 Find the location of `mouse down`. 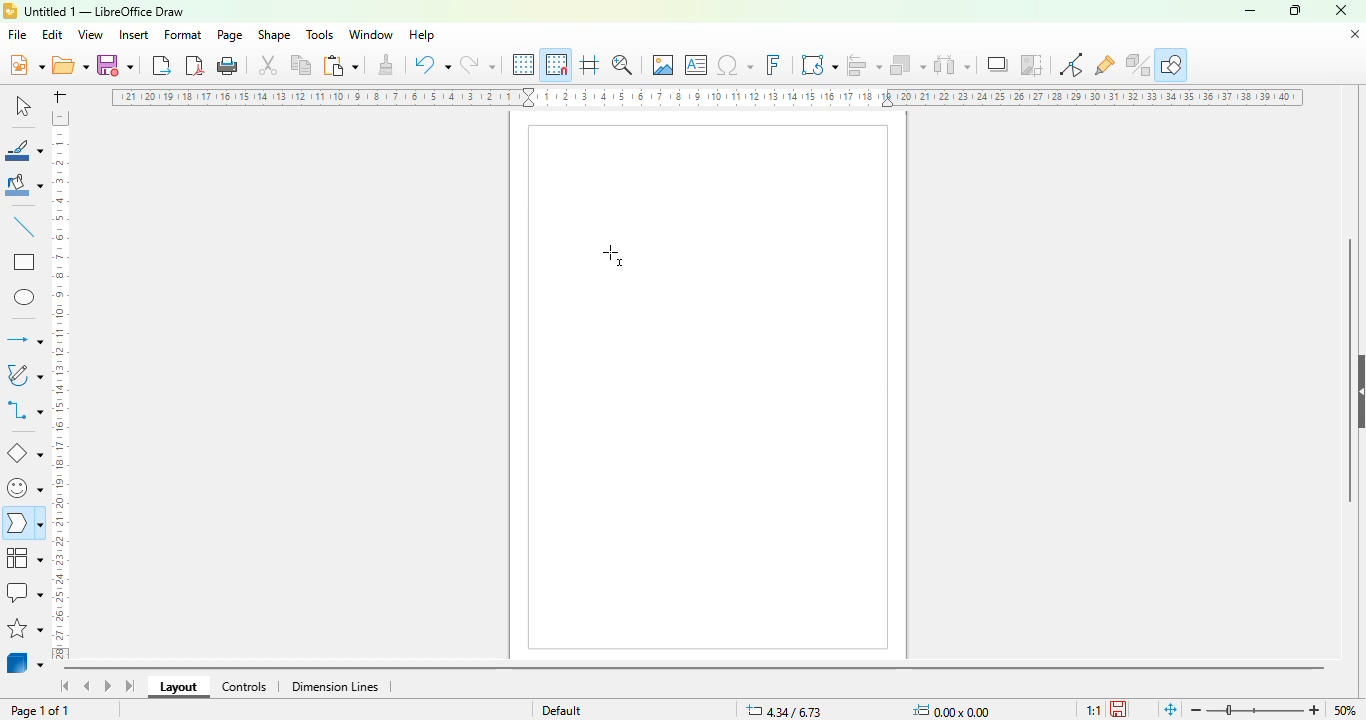

mouse down is located at coordinates (615, 256).